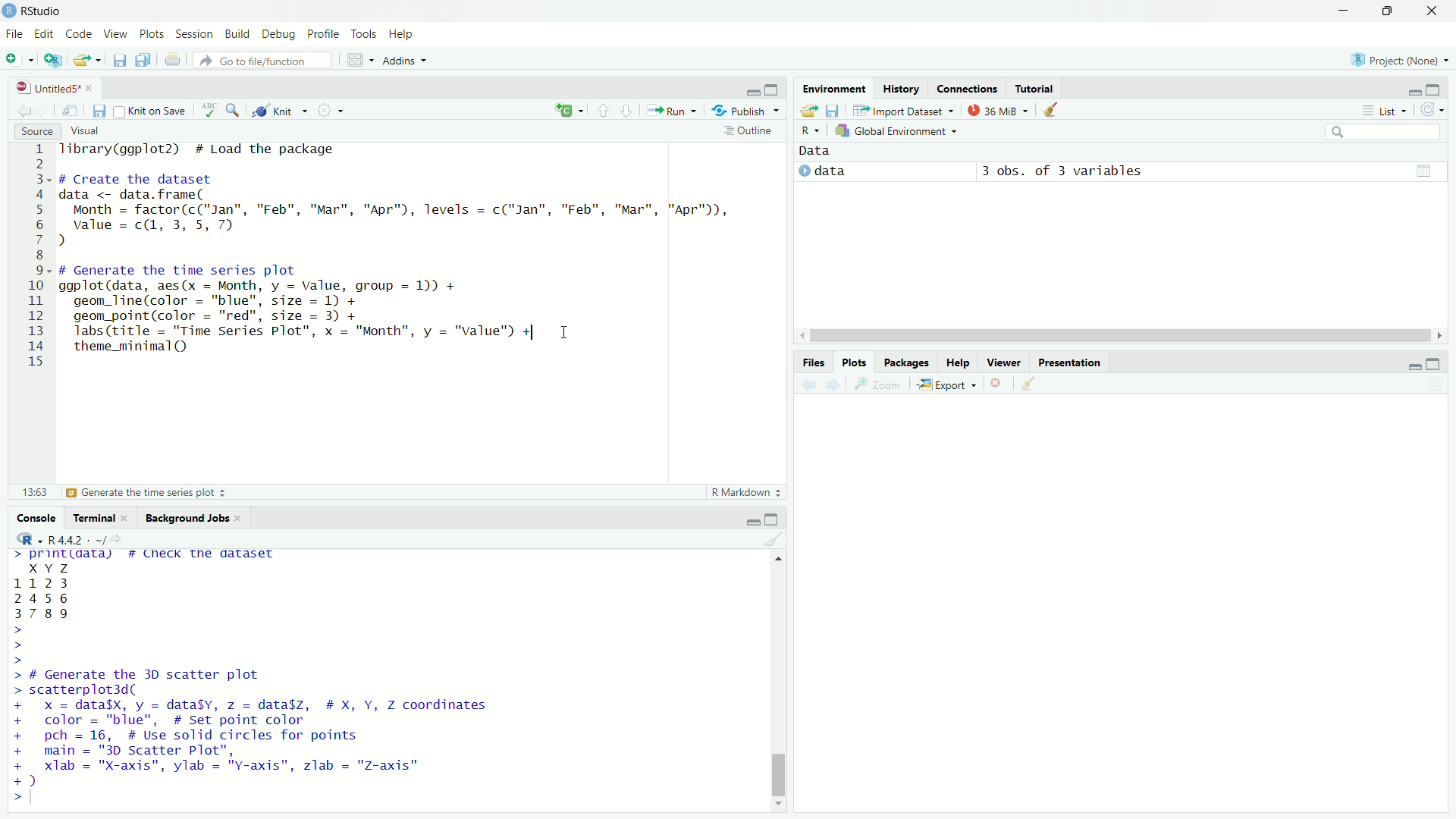 The width and height of the screenshot is (1456, 819). What do you see at coordinates (1380, 110) in the screenshot?
I see `list` at bounding box center [1380, 110].